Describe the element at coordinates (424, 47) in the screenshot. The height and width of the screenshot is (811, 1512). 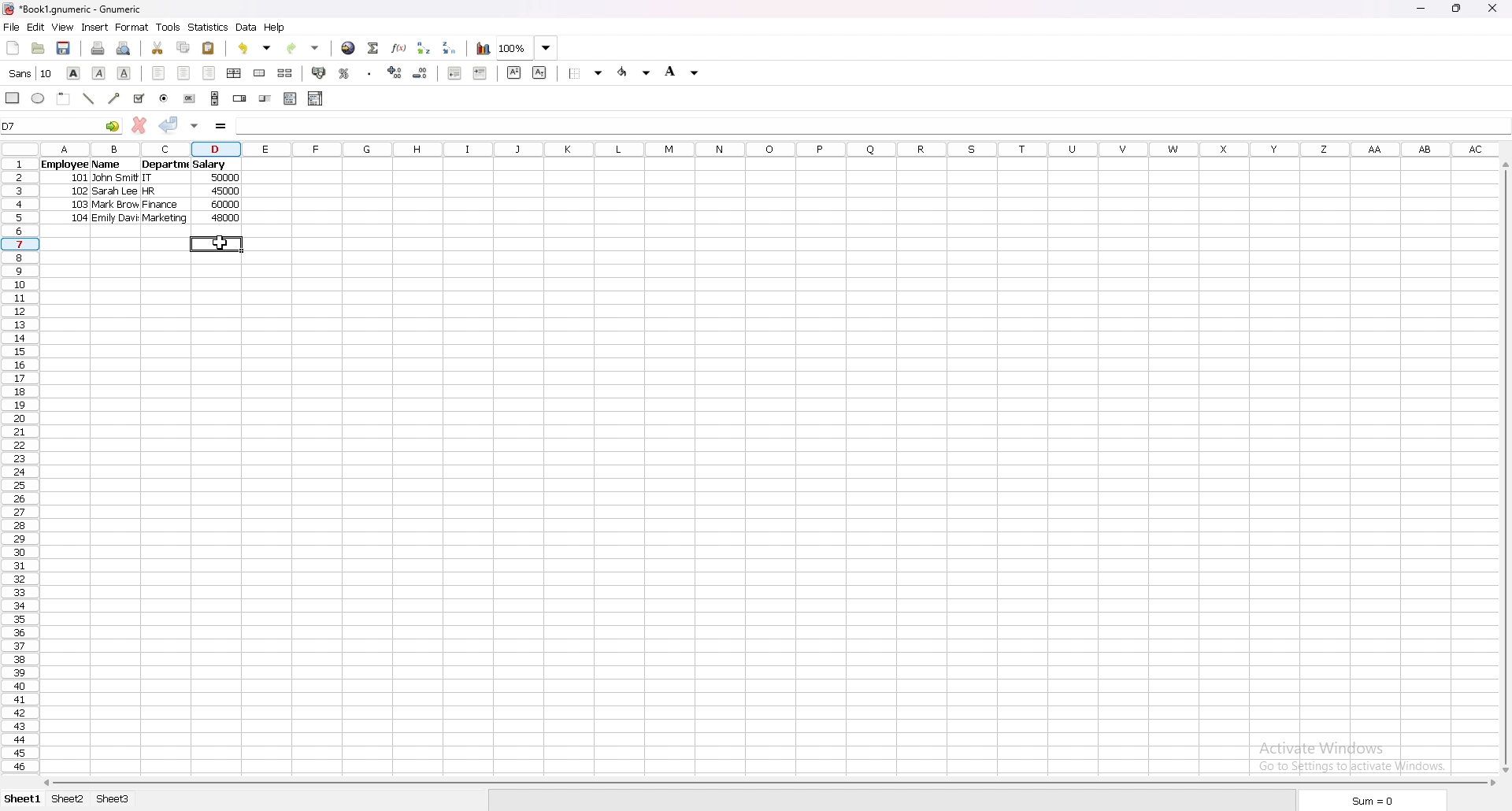
I see `sort ascending` at that location.